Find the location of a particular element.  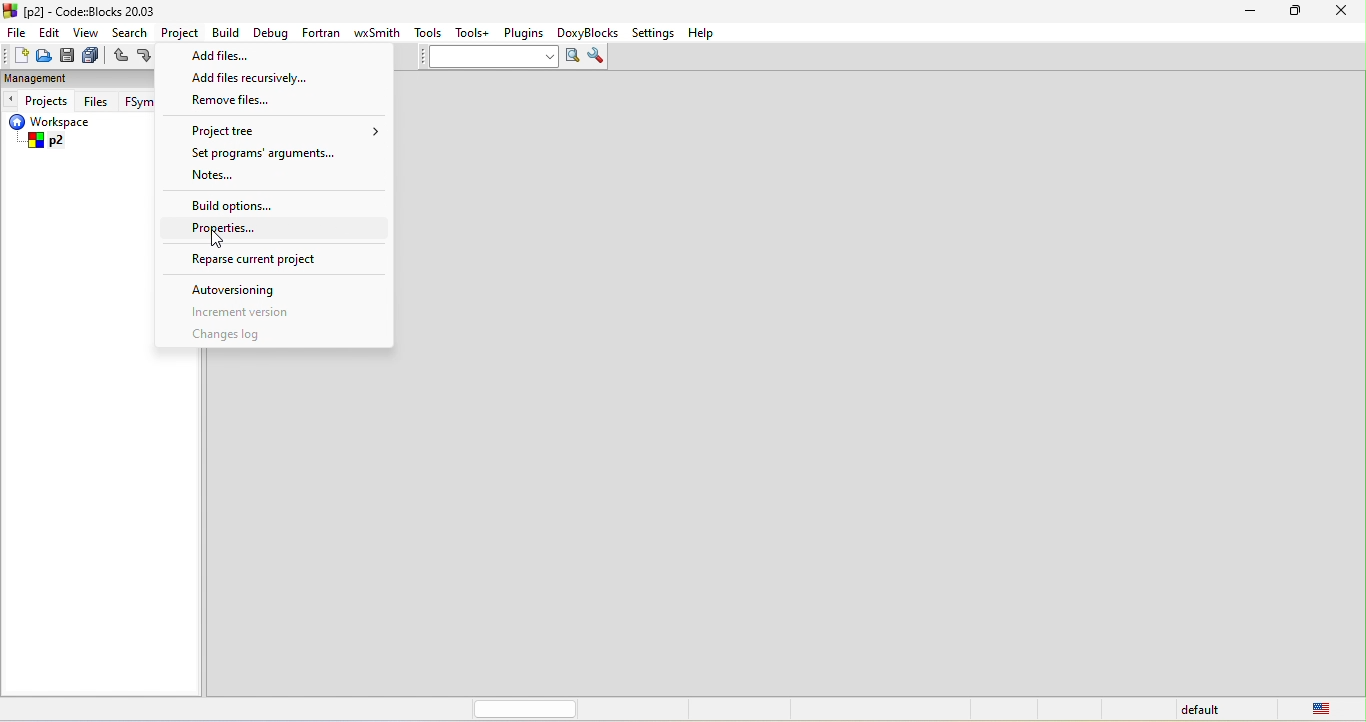

increment version is located at coordinates (265, 311).